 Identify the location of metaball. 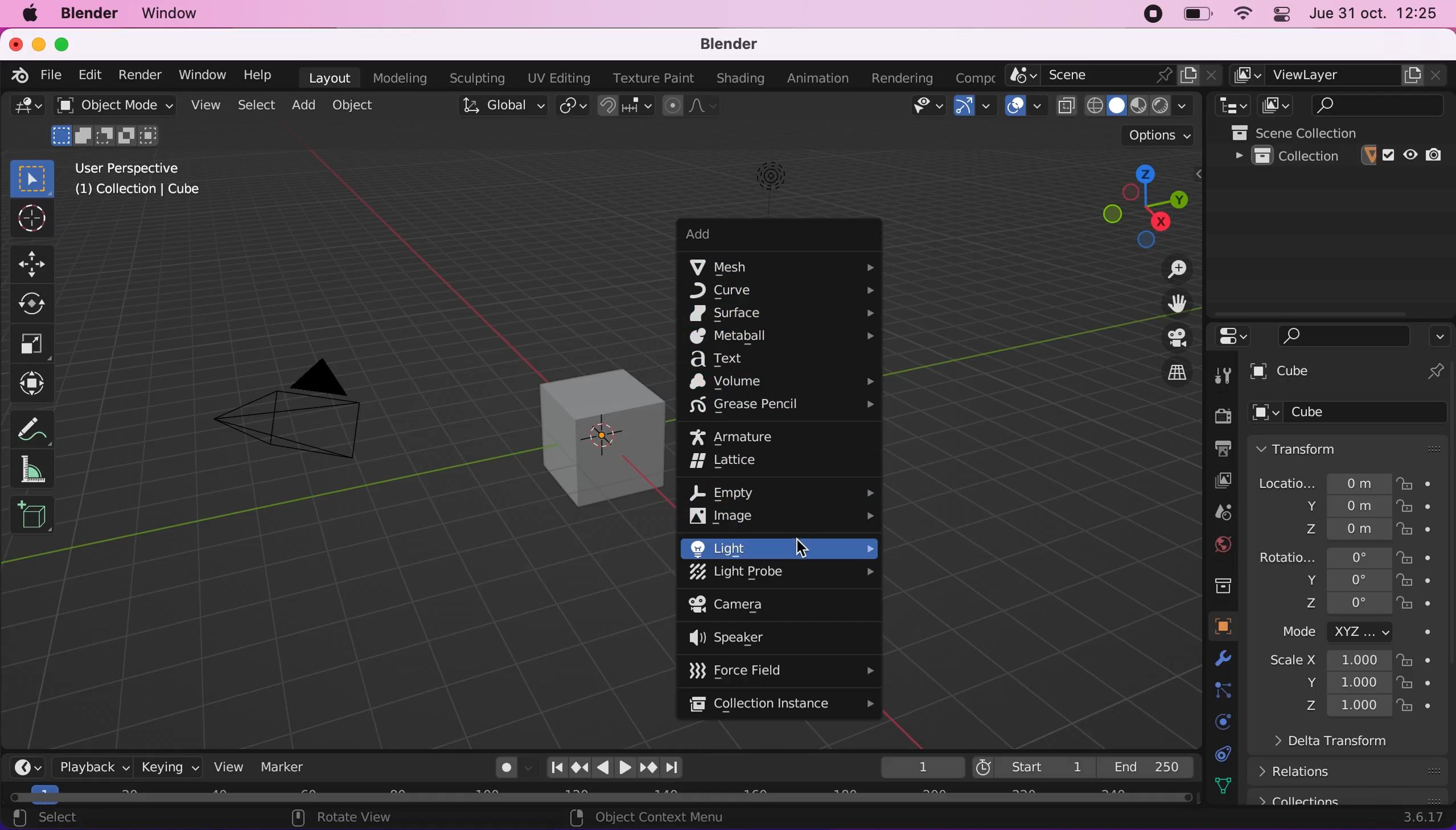
(781, 337).